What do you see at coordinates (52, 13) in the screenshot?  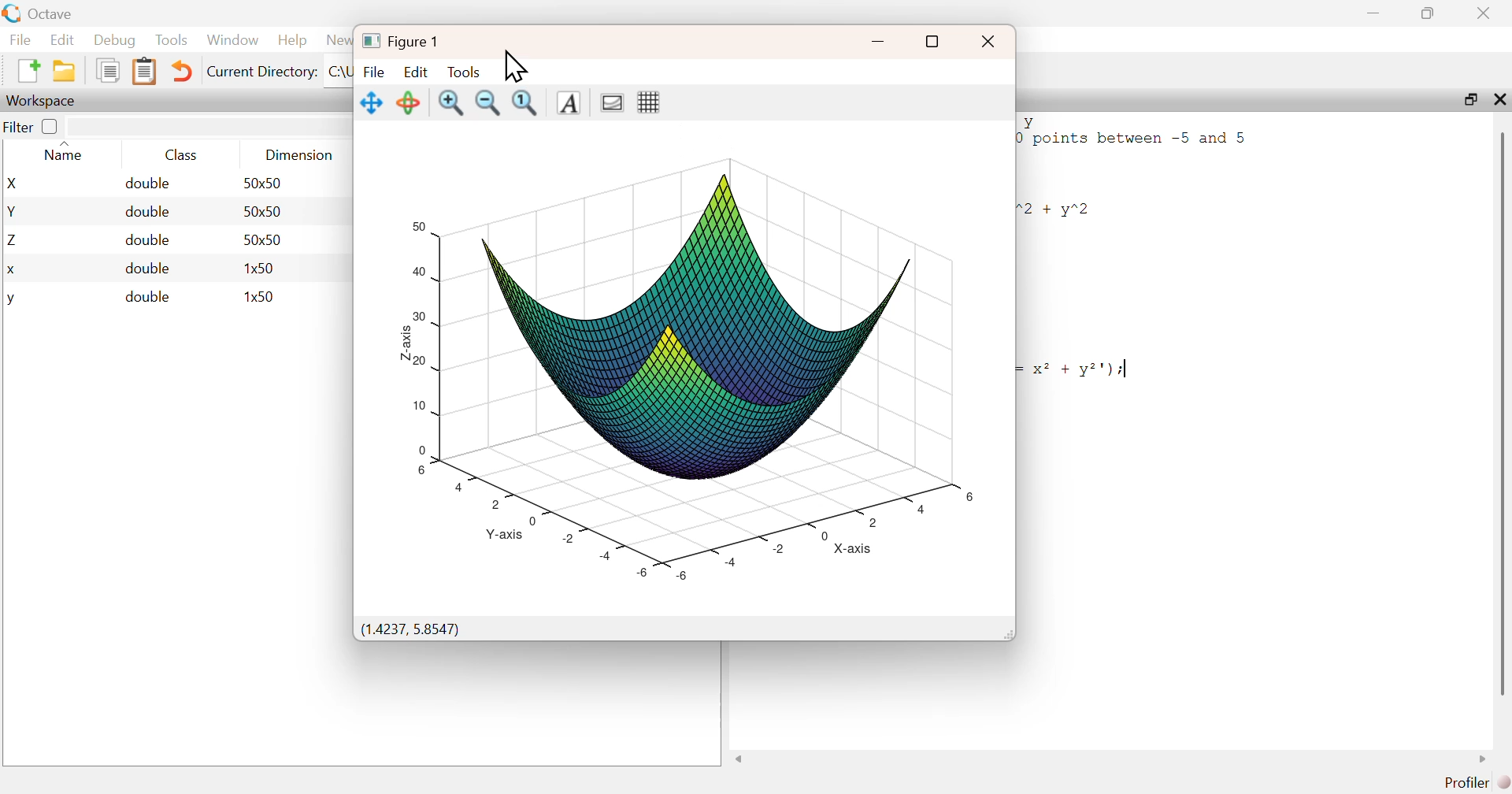 I see `Octave` at bounding box center [52, 13].